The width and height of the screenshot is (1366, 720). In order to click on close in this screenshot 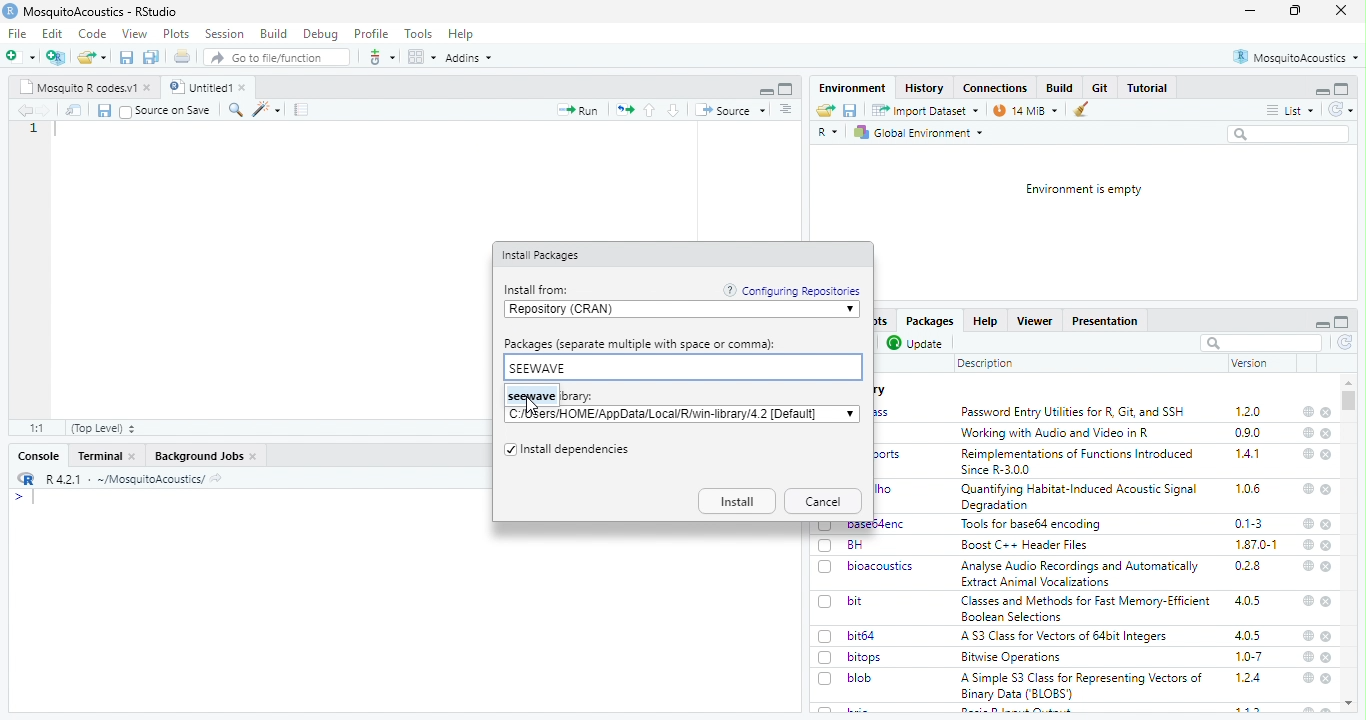, I will do `click(1325, 524)`.